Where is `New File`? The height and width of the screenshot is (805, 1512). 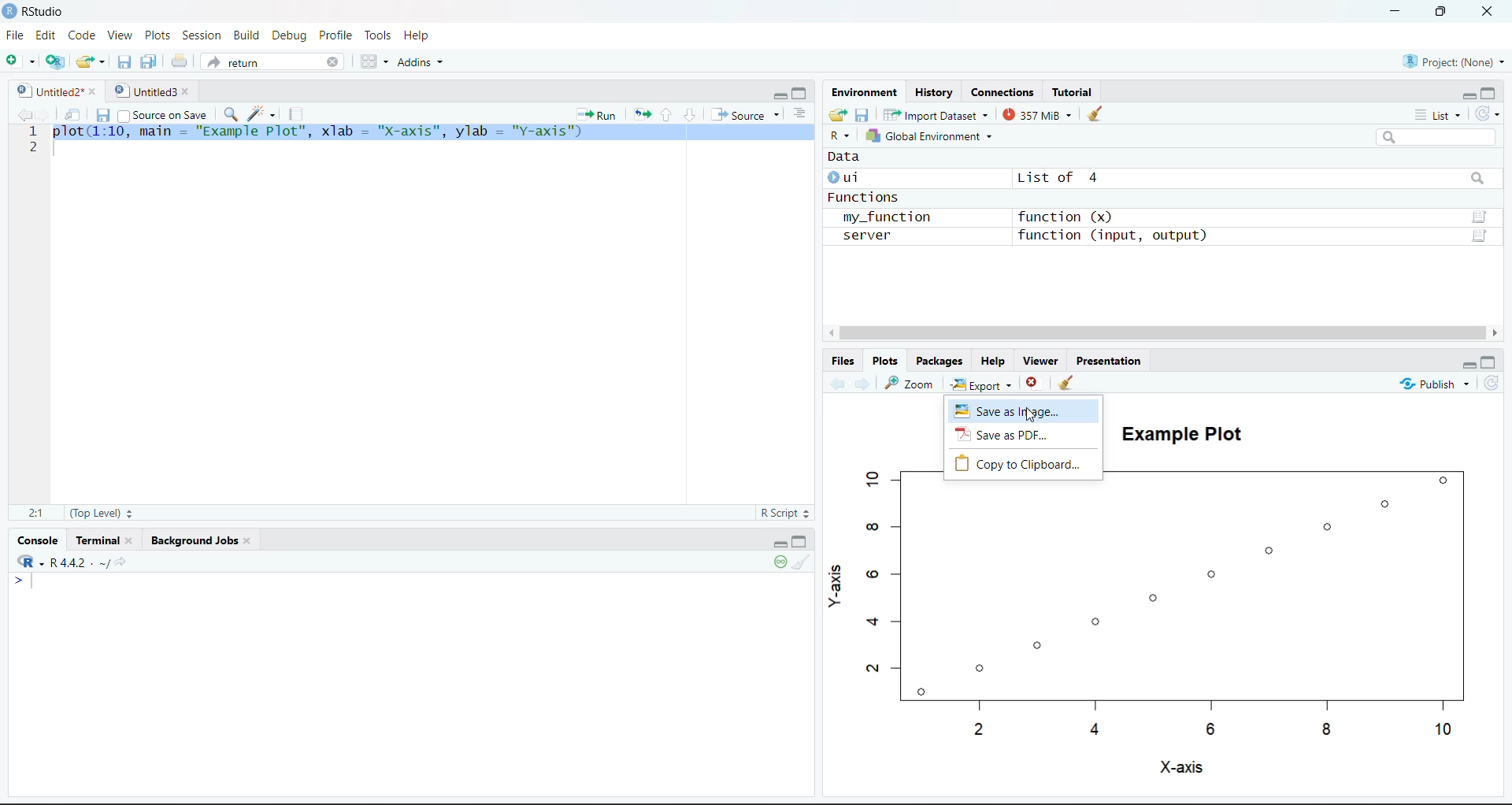
New File is located at coordinates (20, 60).